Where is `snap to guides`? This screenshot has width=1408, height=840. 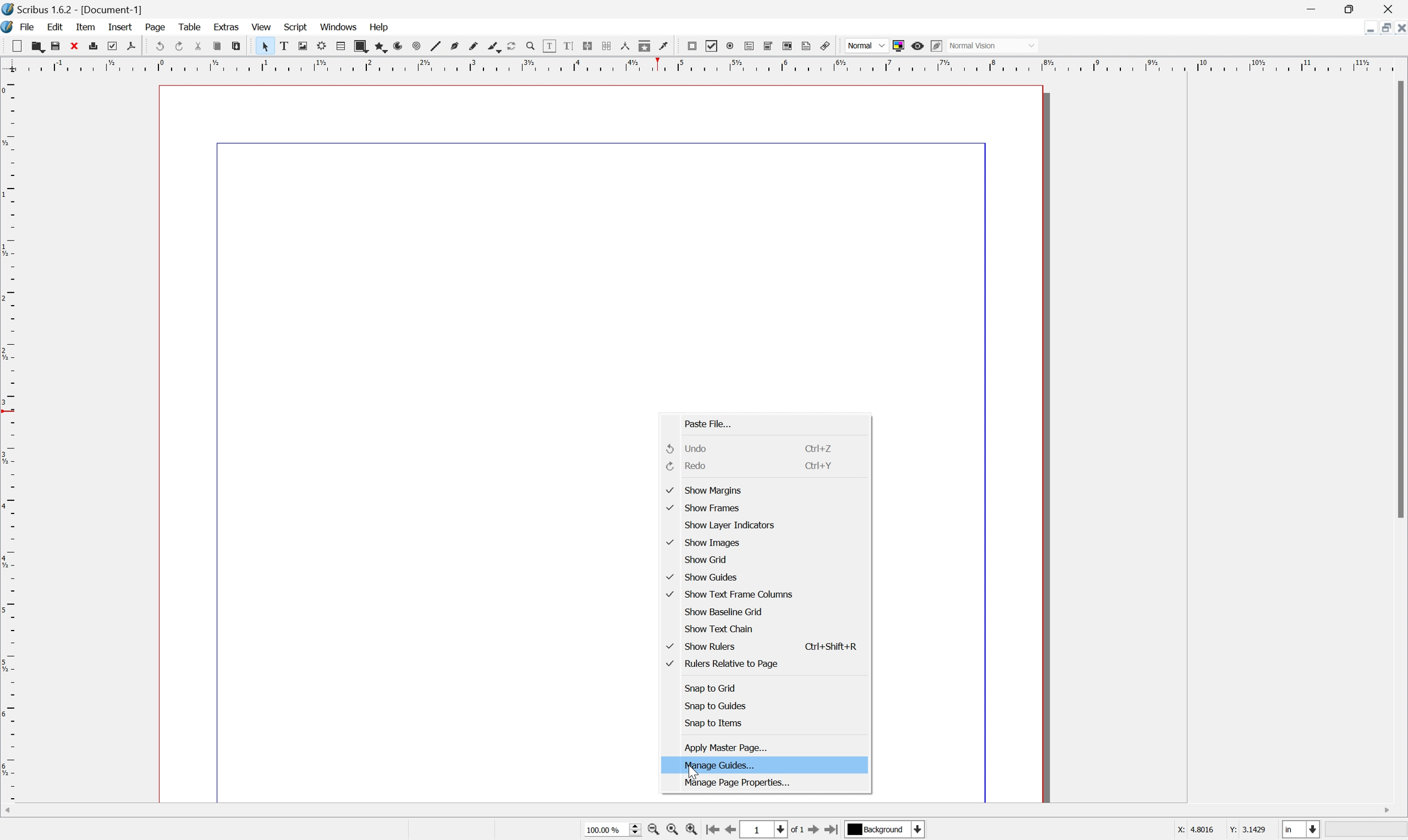
snap to guides is located at coordinates (717, 704).